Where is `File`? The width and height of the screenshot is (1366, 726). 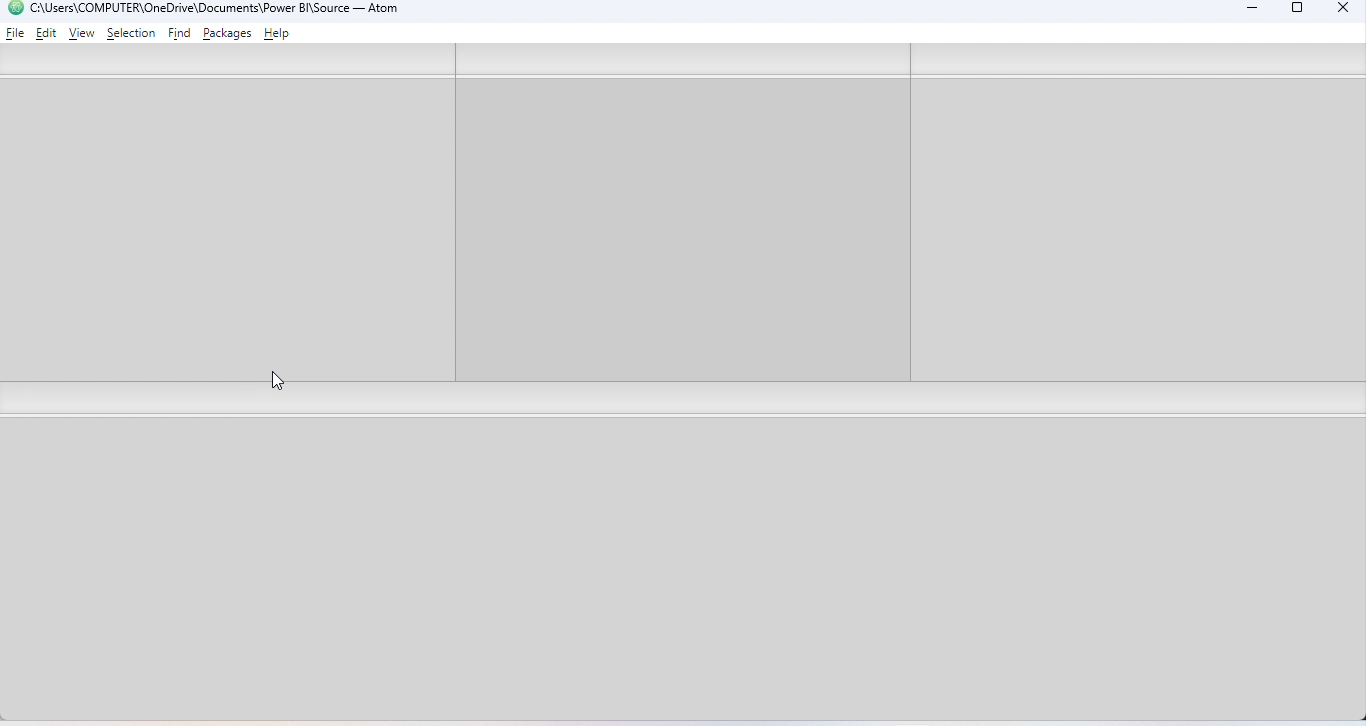
File is located at coordinates (16, 32).